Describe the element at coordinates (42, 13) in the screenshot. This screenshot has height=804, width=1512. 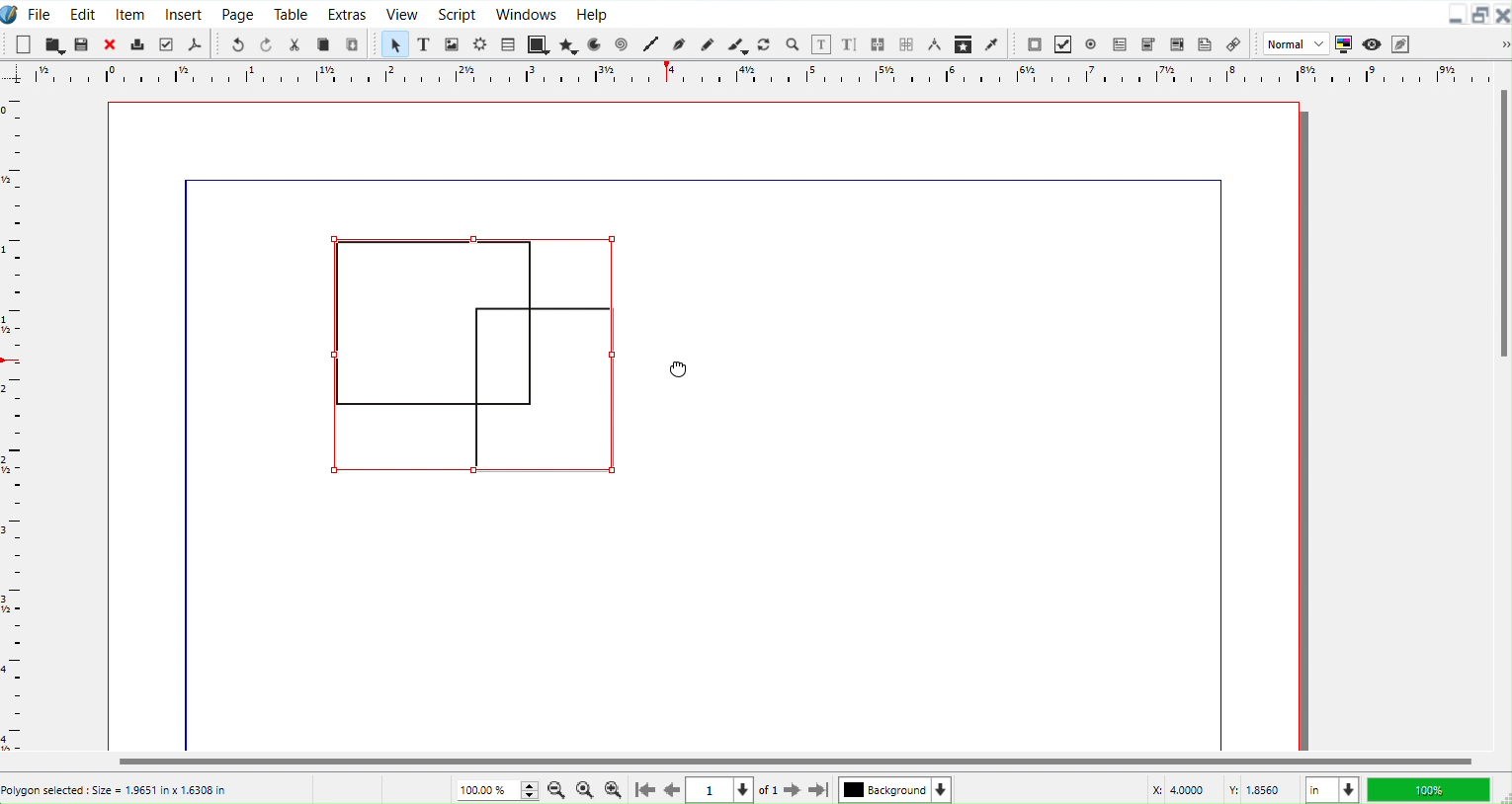
I see `File` at that location.